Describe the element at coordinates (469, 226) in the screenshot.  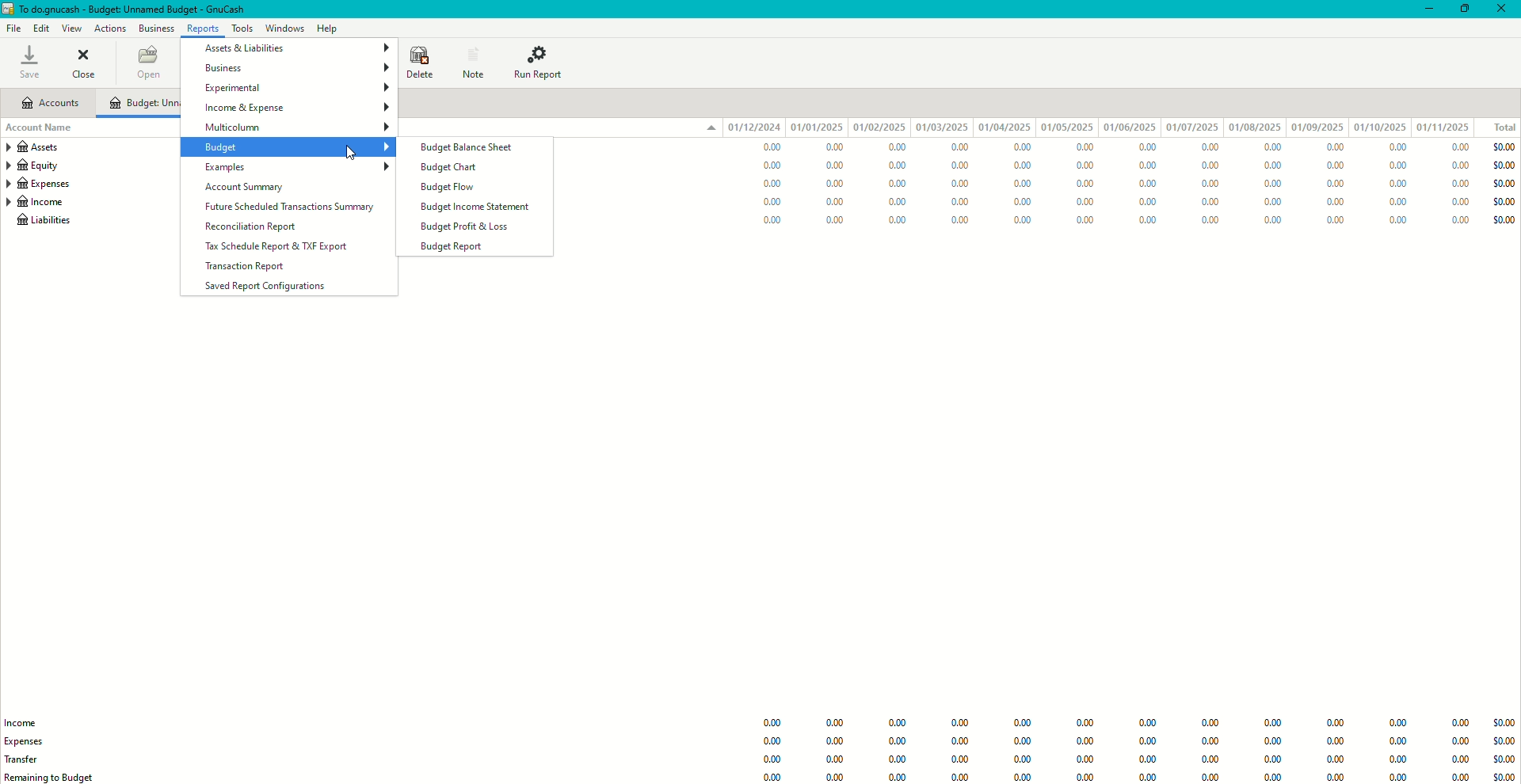
I see `Budget Profit and Loss` at that location.